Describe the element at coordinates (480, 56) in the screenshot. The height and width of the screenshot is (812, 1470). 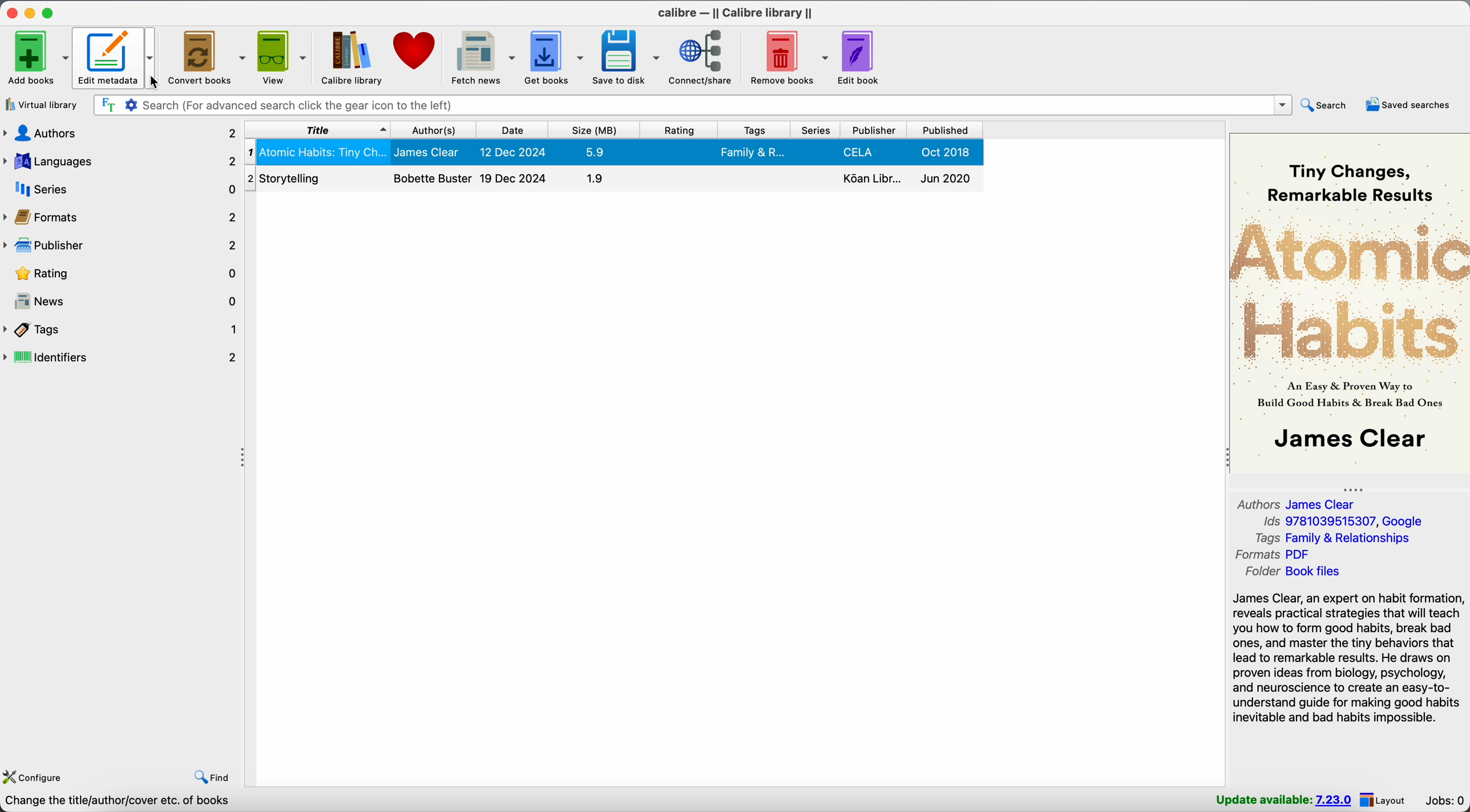
I see `fetch news` at that location.